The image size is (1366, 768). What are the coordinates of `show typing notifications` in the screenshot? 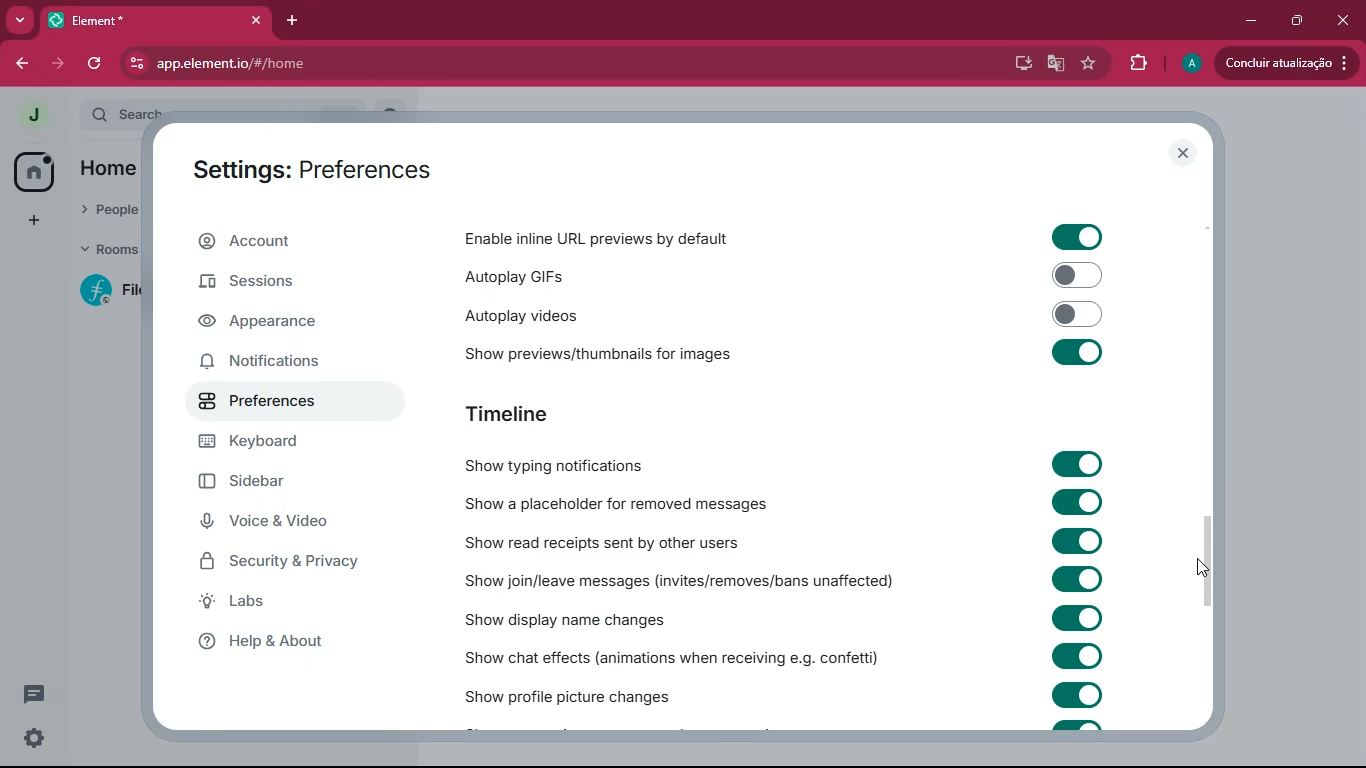 It's located at (570, 465).